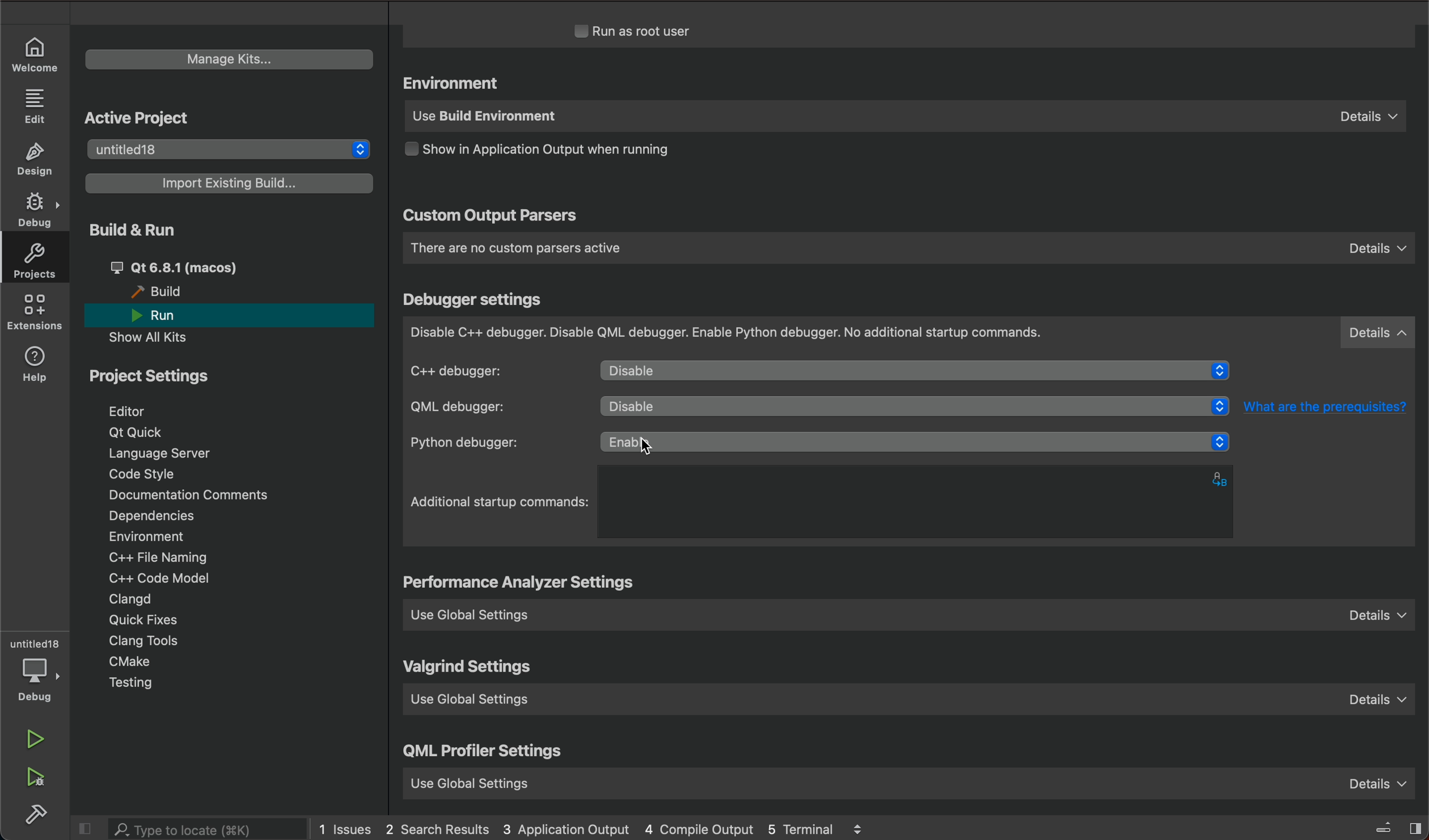  Describe the element at coordinates (657, 444) in the screenshot. I see `cursor` at that location.